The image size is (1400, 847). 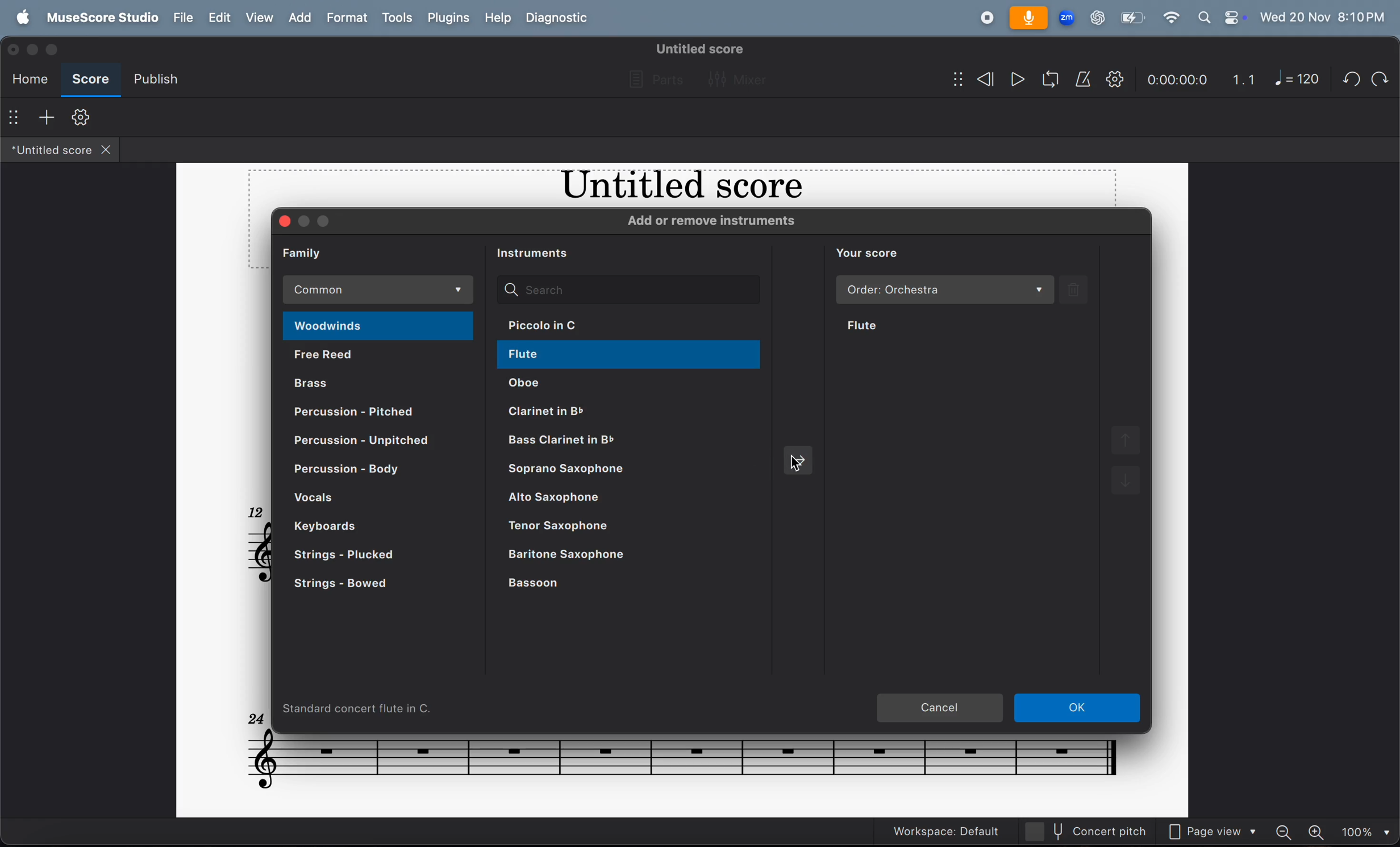 I want to click on notes, so click(x=256, y=551).